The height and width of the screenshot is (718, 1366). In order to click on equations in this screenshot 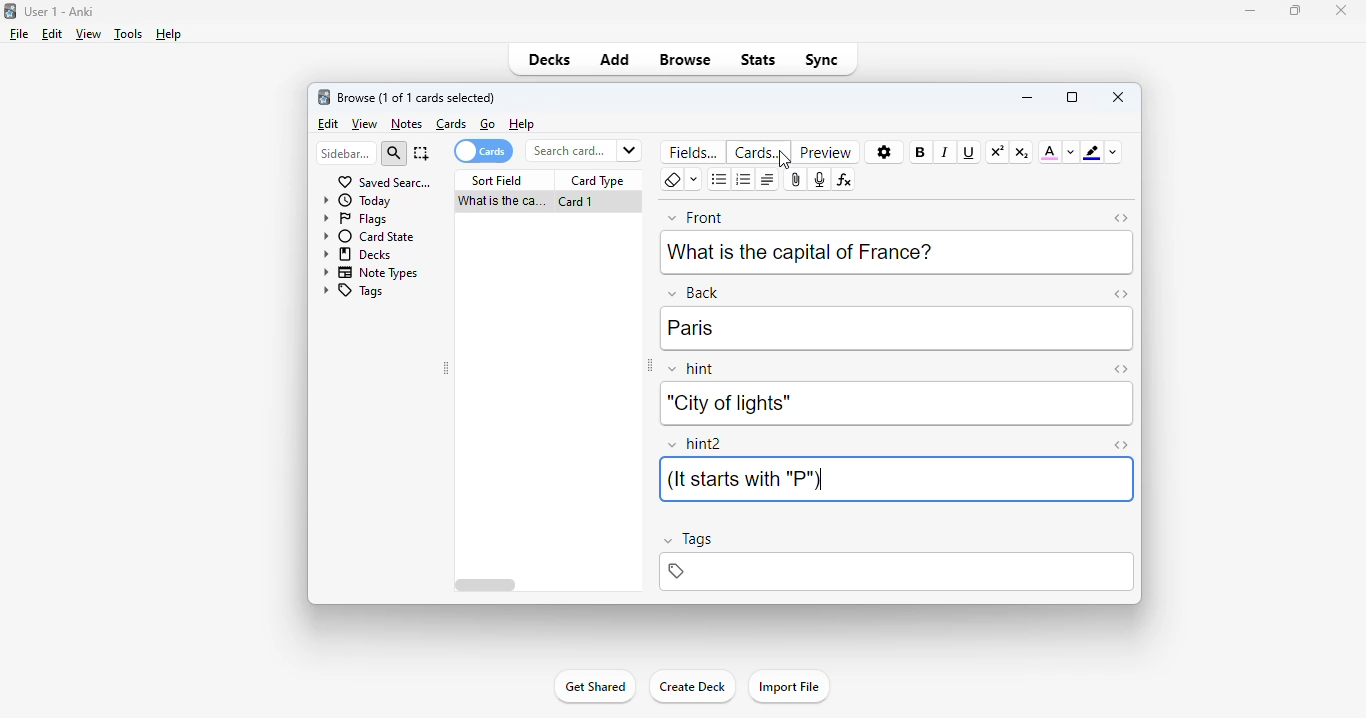, I will do `click(843, 180)`.